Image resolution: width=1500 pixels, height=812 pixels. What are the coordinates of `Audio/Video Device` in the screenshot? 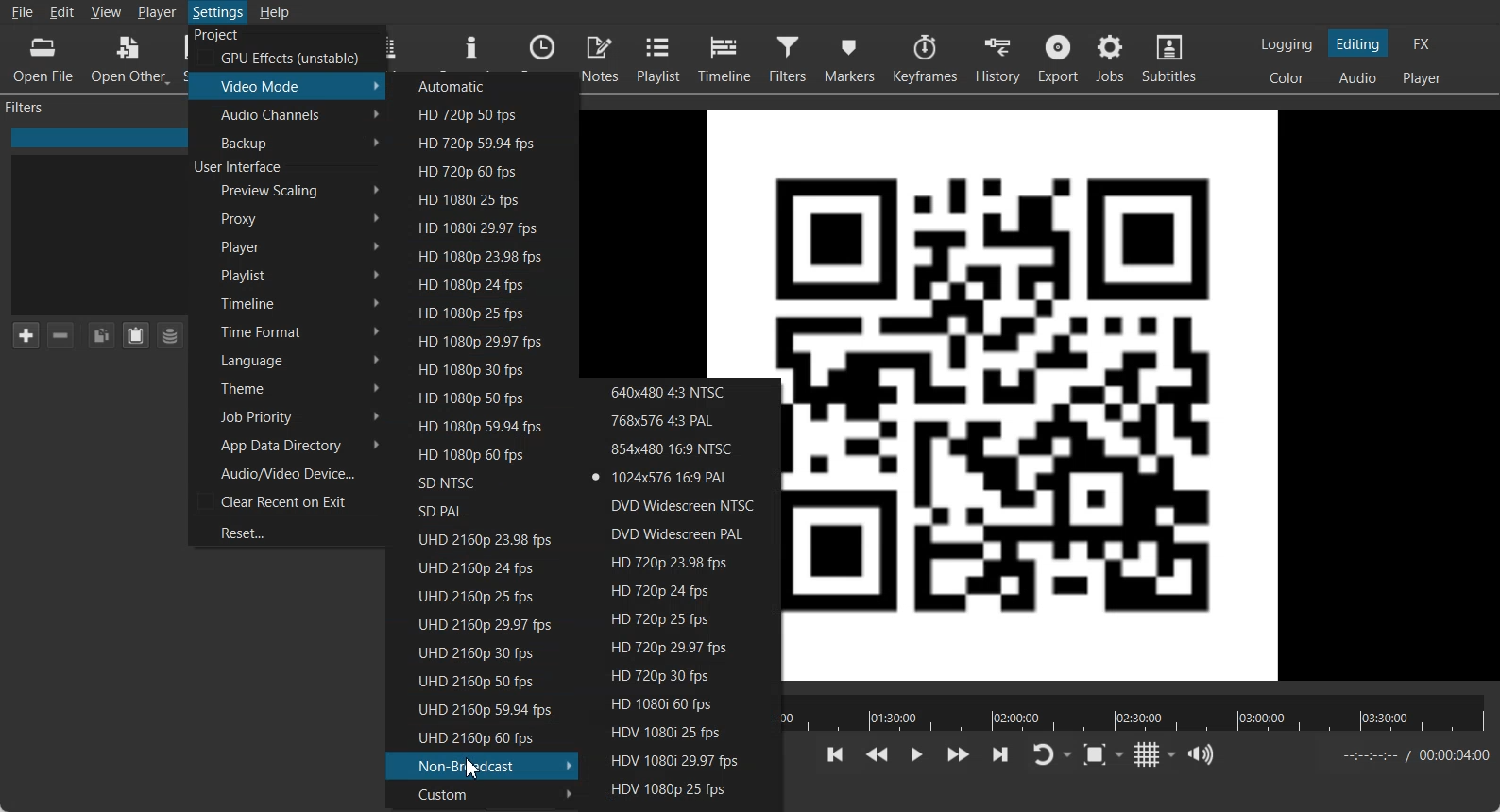 It's located at (286, 472).